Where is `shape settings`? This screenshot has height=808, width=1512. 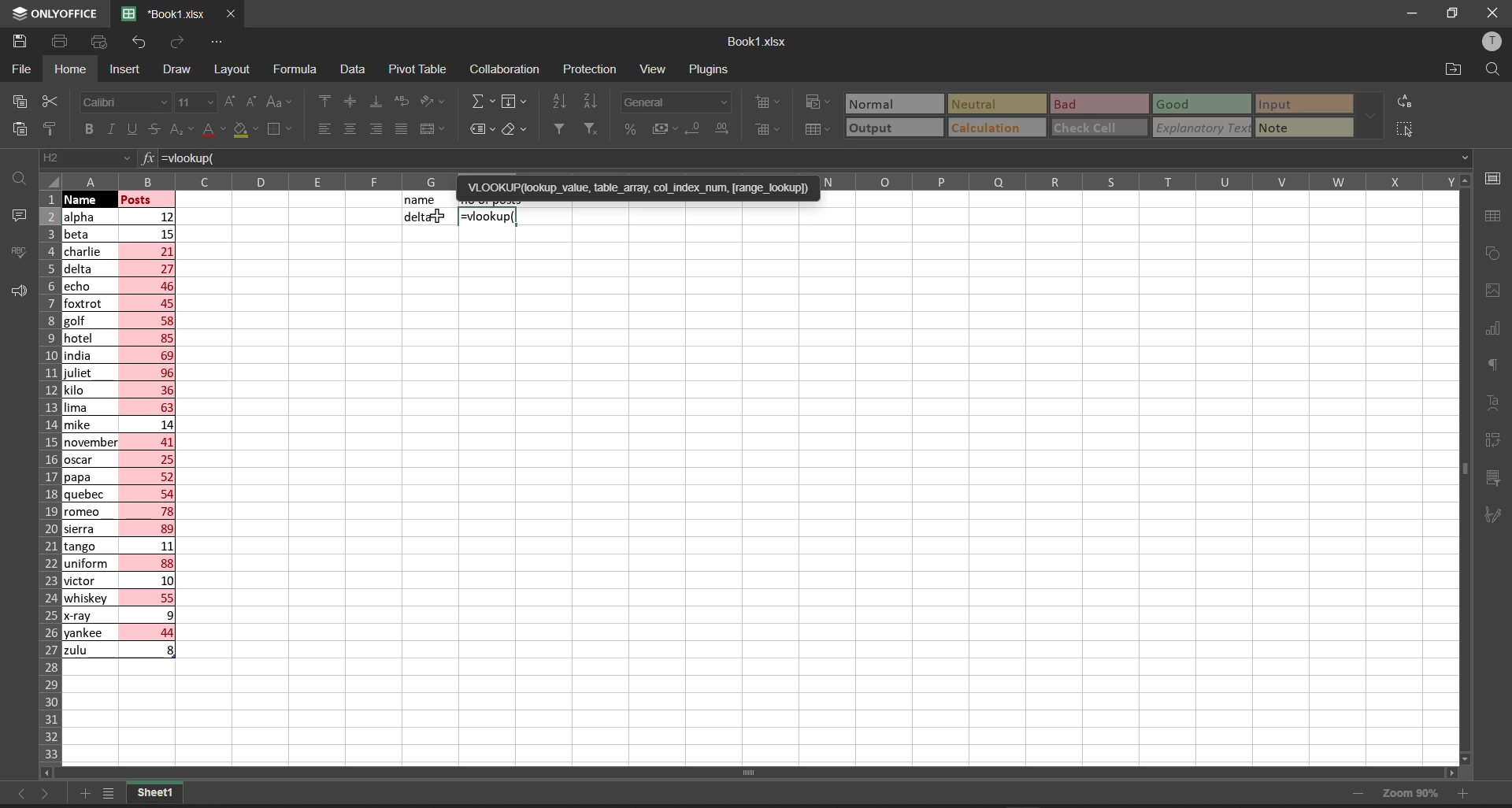 shape settings is located at coordinates (1496, 254).